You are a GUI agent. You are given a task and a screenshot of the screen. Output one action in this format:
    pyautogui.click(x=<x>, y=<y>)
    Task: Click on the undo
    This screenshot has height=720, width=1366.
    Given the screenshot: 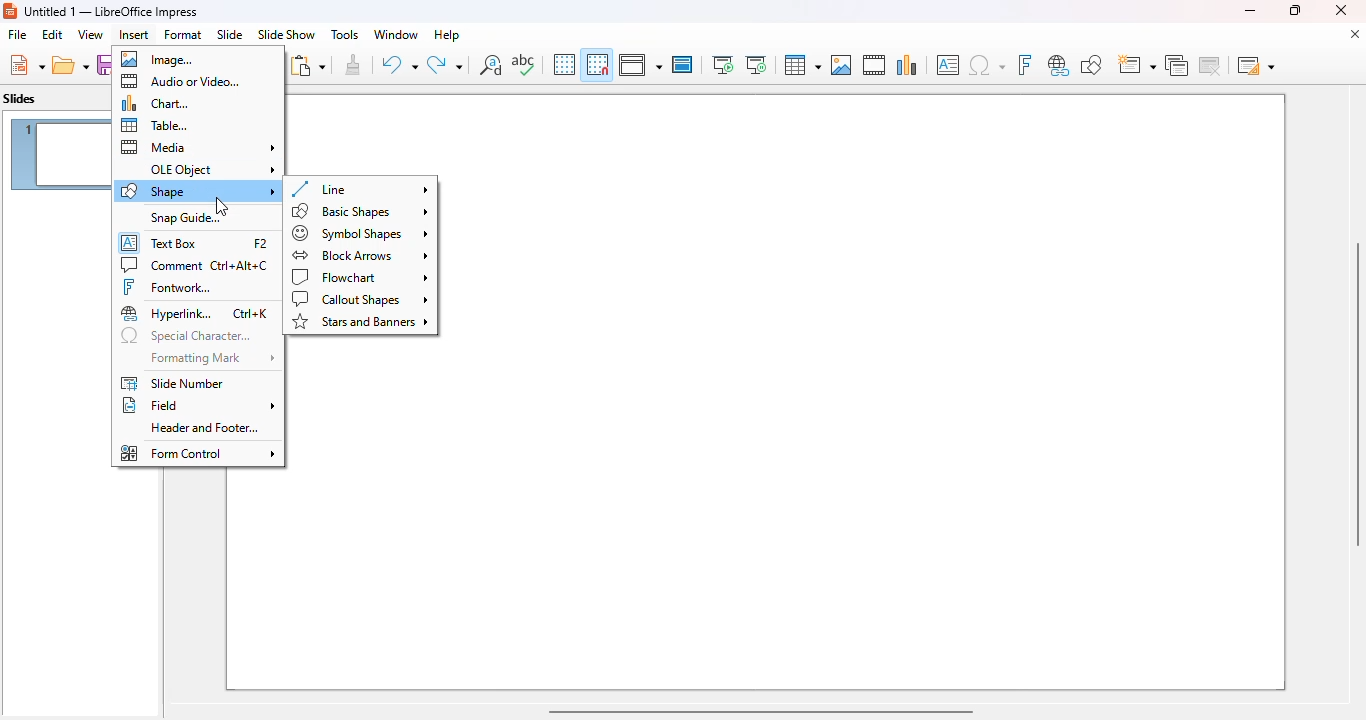 What is the action you would take?
    pyautogui.click(x=399, y=65)
    